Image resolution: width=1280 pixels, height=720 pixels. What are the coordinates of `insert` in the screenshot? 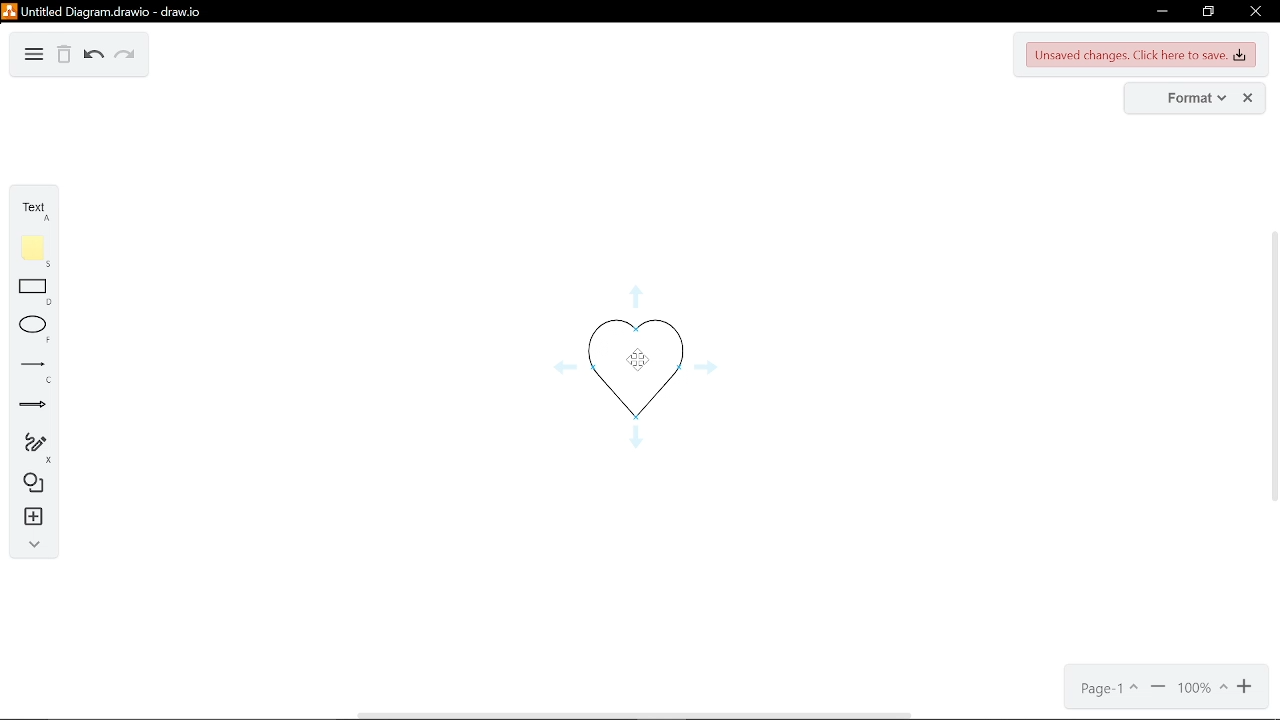 It's located at (31, 516).